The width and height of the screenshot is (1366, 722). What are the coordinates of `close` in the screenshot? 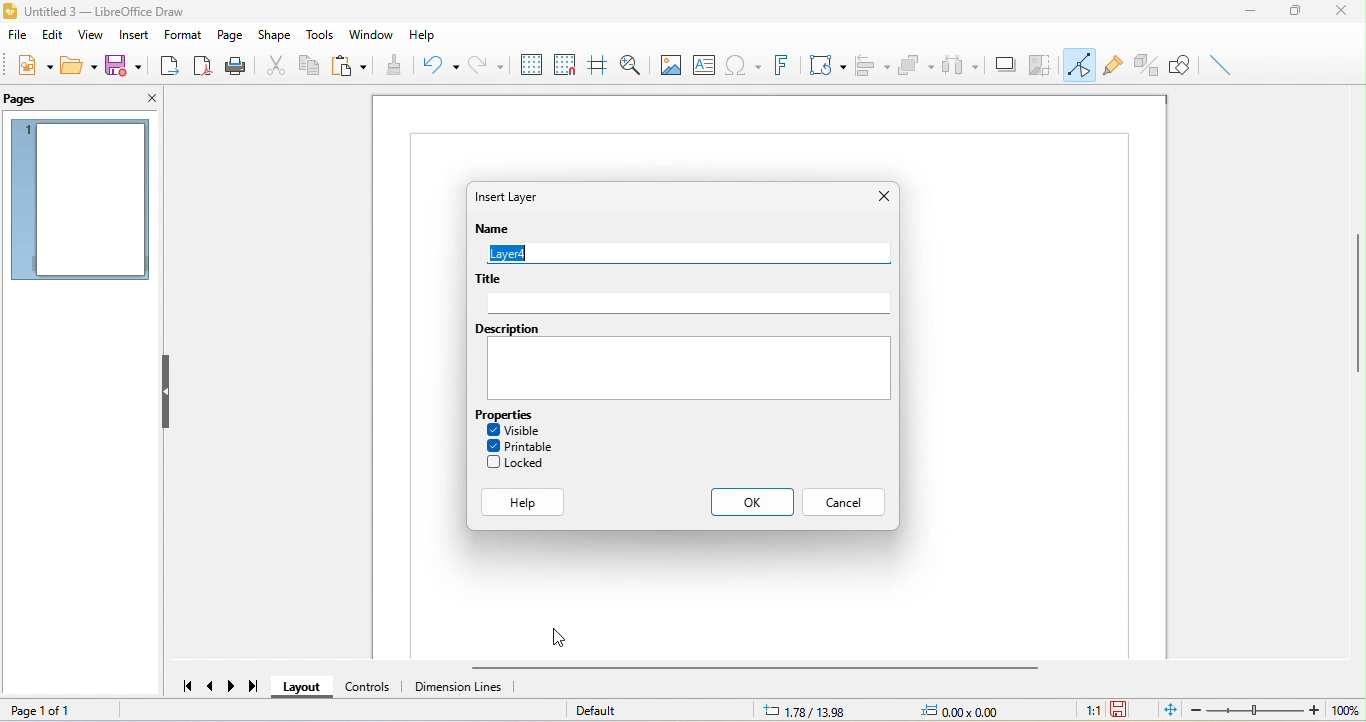 It's located at (146, 100).